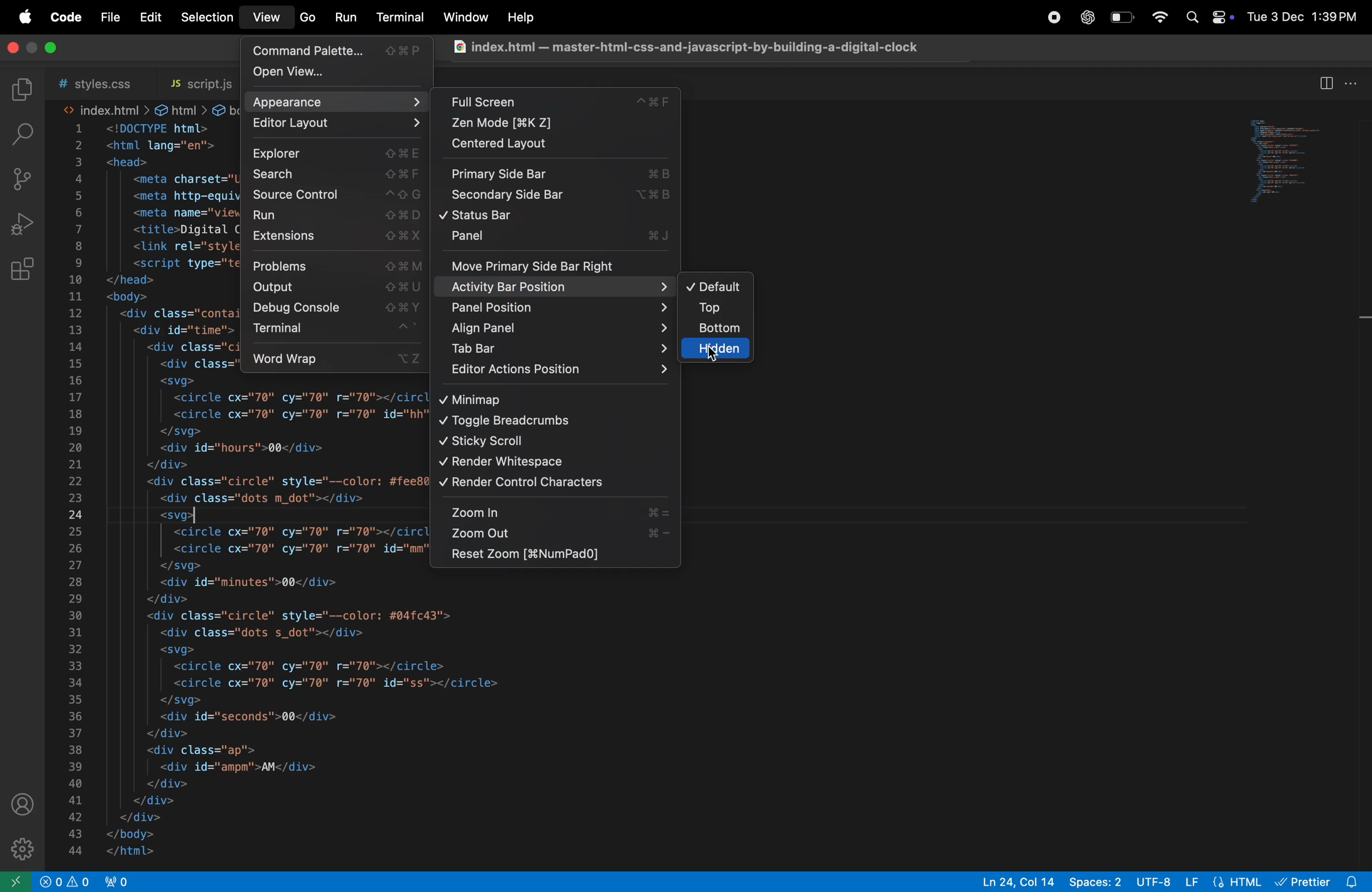 This screenshot has height=892, width=1372. I want to click on spaces 8, so click(1096, 882).